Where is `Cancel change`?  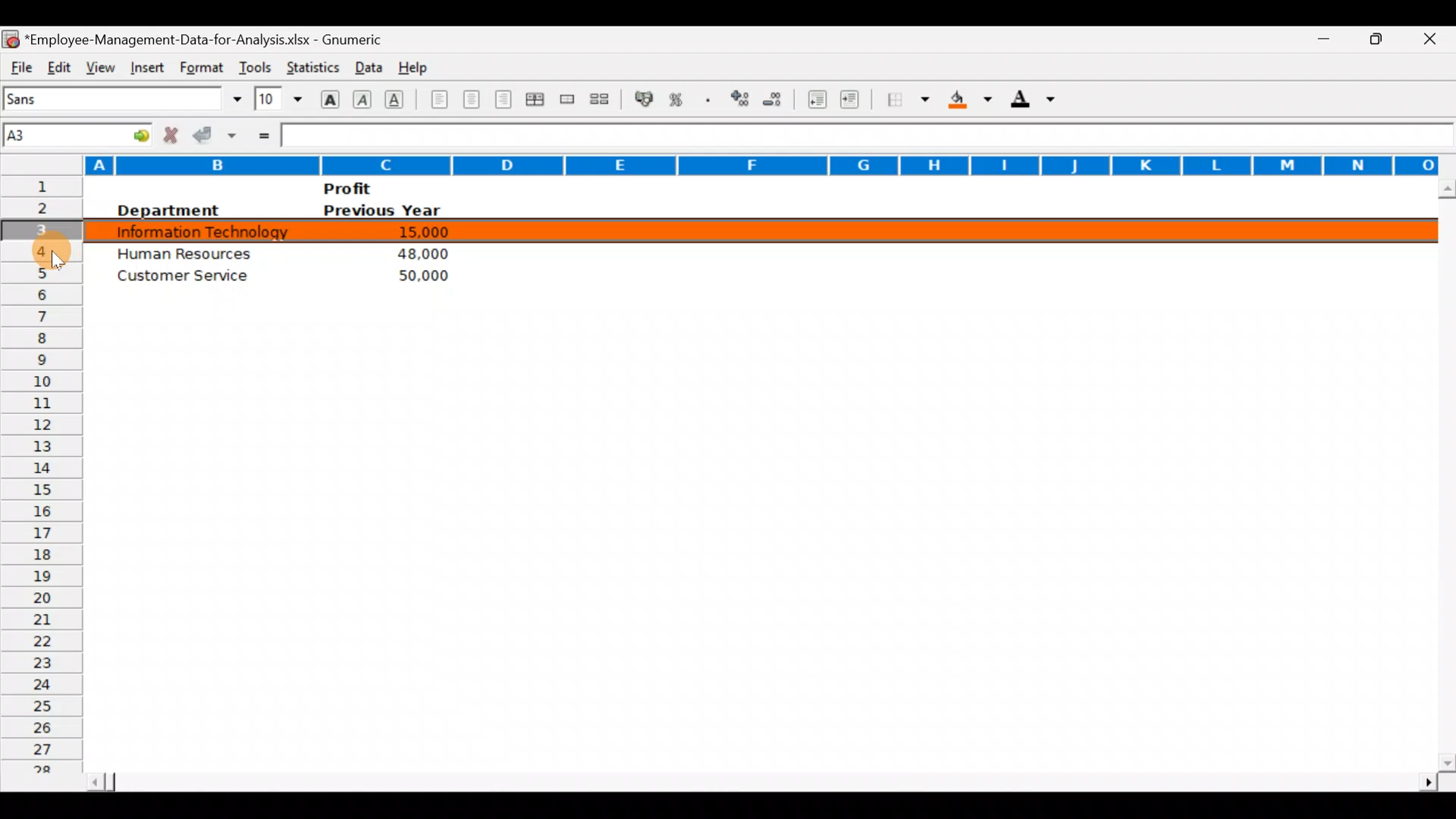
Cancel change is located at coordinates (174, 134).